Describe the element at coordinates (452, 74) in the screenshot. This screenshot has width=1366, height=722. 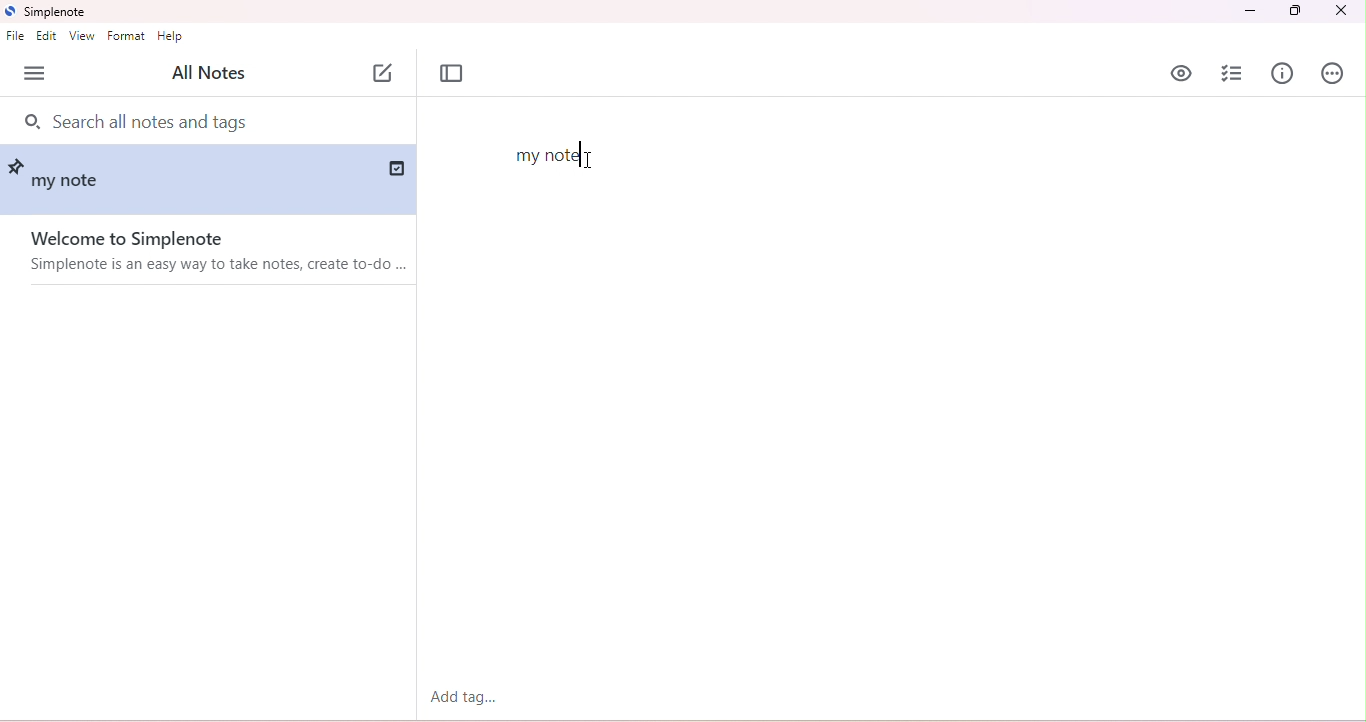
I see `toggle focus mode` at that location.